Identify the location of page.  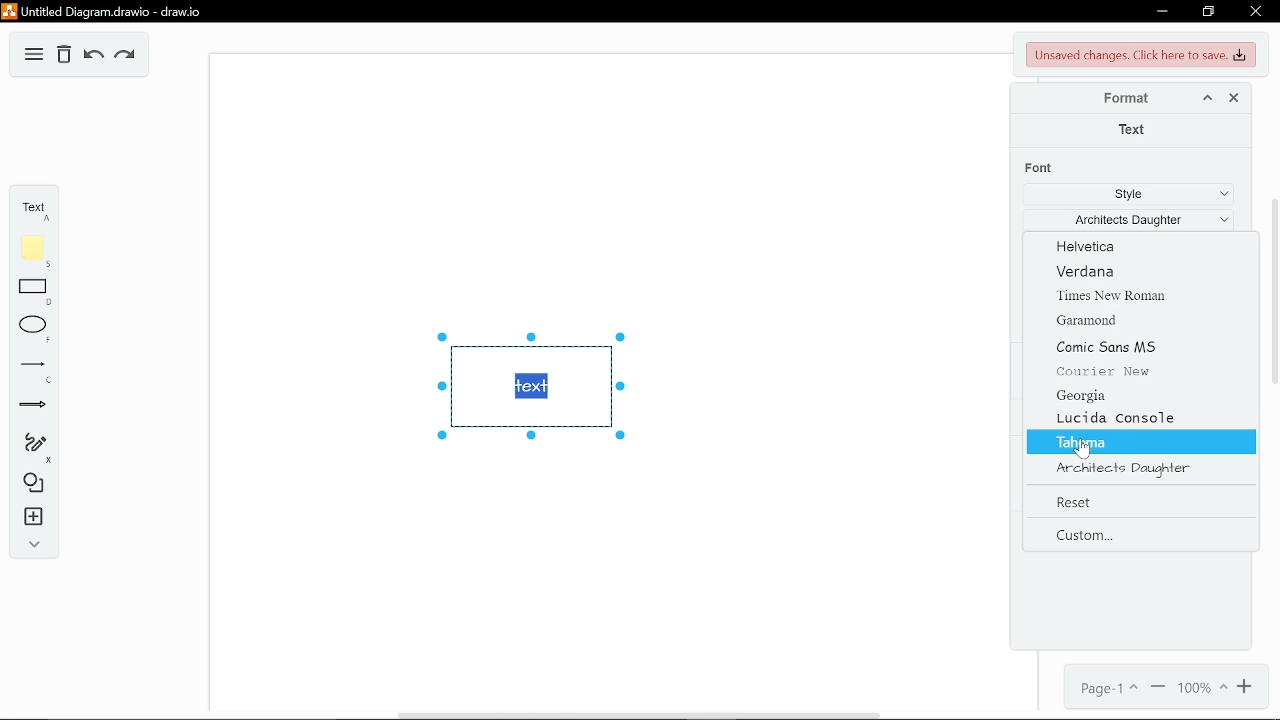
(1105, 686).